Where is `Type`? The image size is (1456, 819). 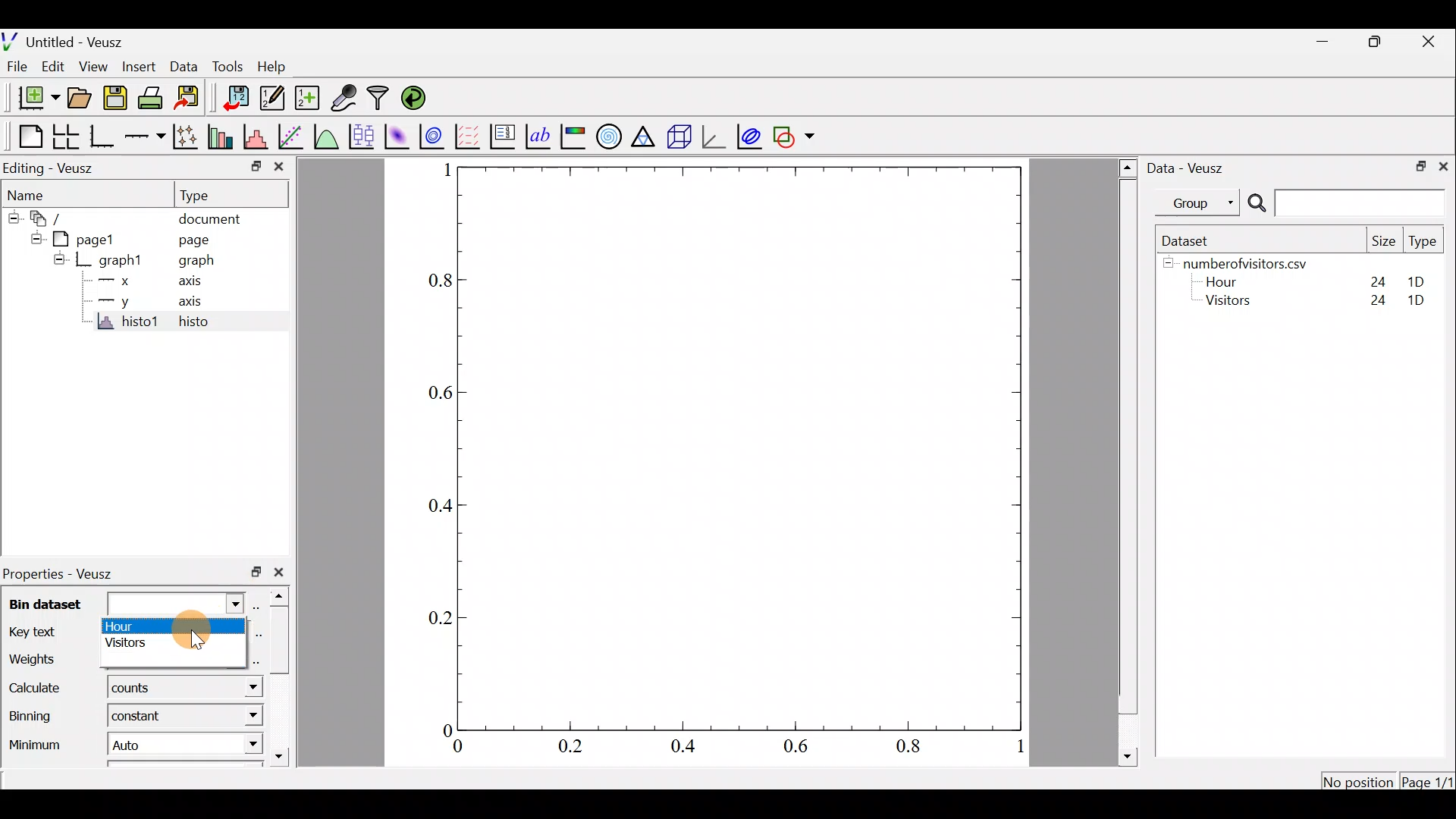
Type is located at coordinates (1423, 240).